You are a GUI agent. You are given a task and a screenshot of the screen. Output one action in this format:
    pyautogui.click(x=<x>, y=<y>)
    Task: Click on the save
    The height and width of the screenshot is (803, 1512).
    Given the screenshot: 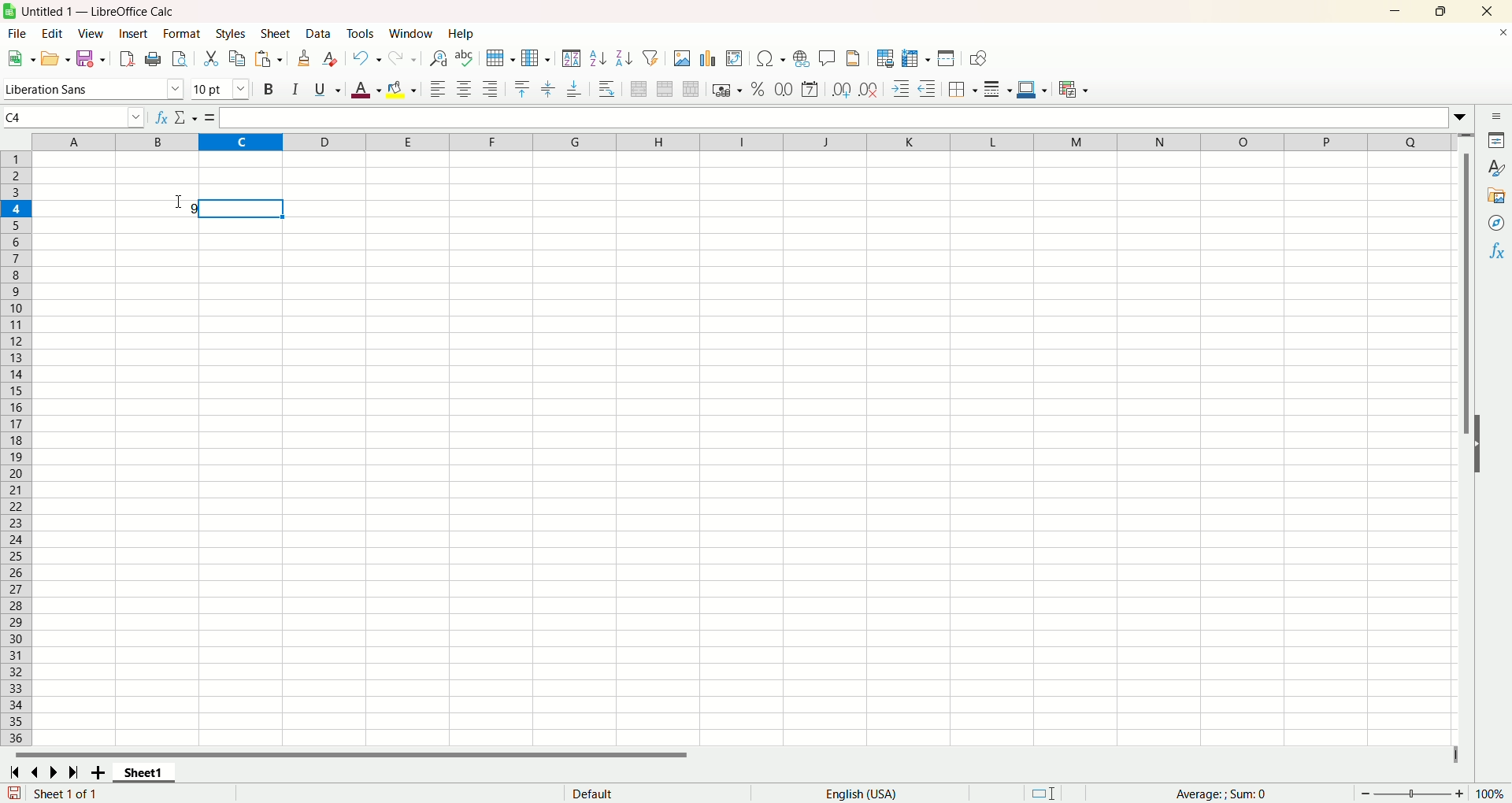 What is the action you would take?
    pyautogui.click(x=14, y=793)
    